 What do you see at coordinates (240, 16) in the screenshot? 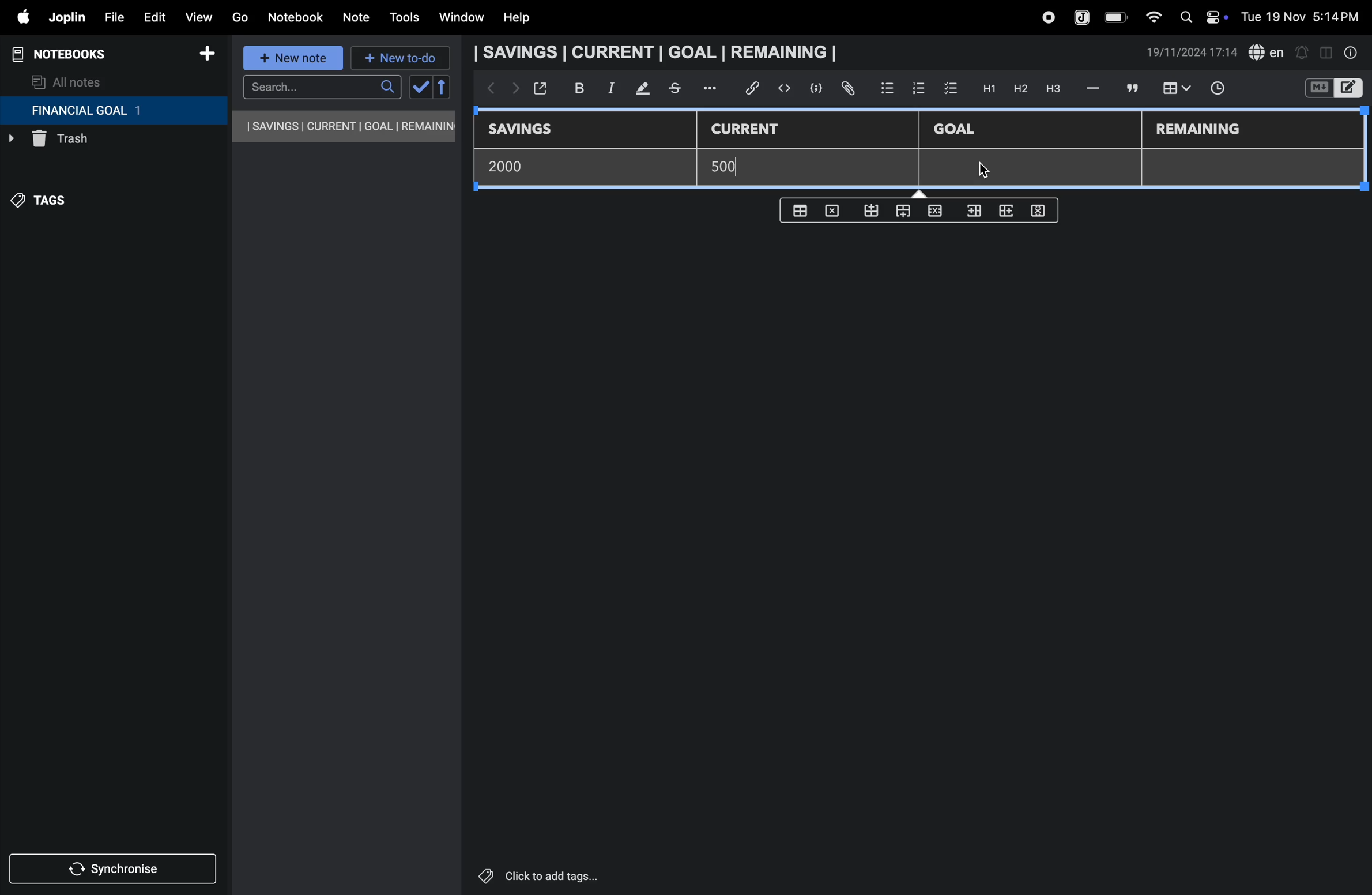
I see `go` at bounding box center [240, 16].